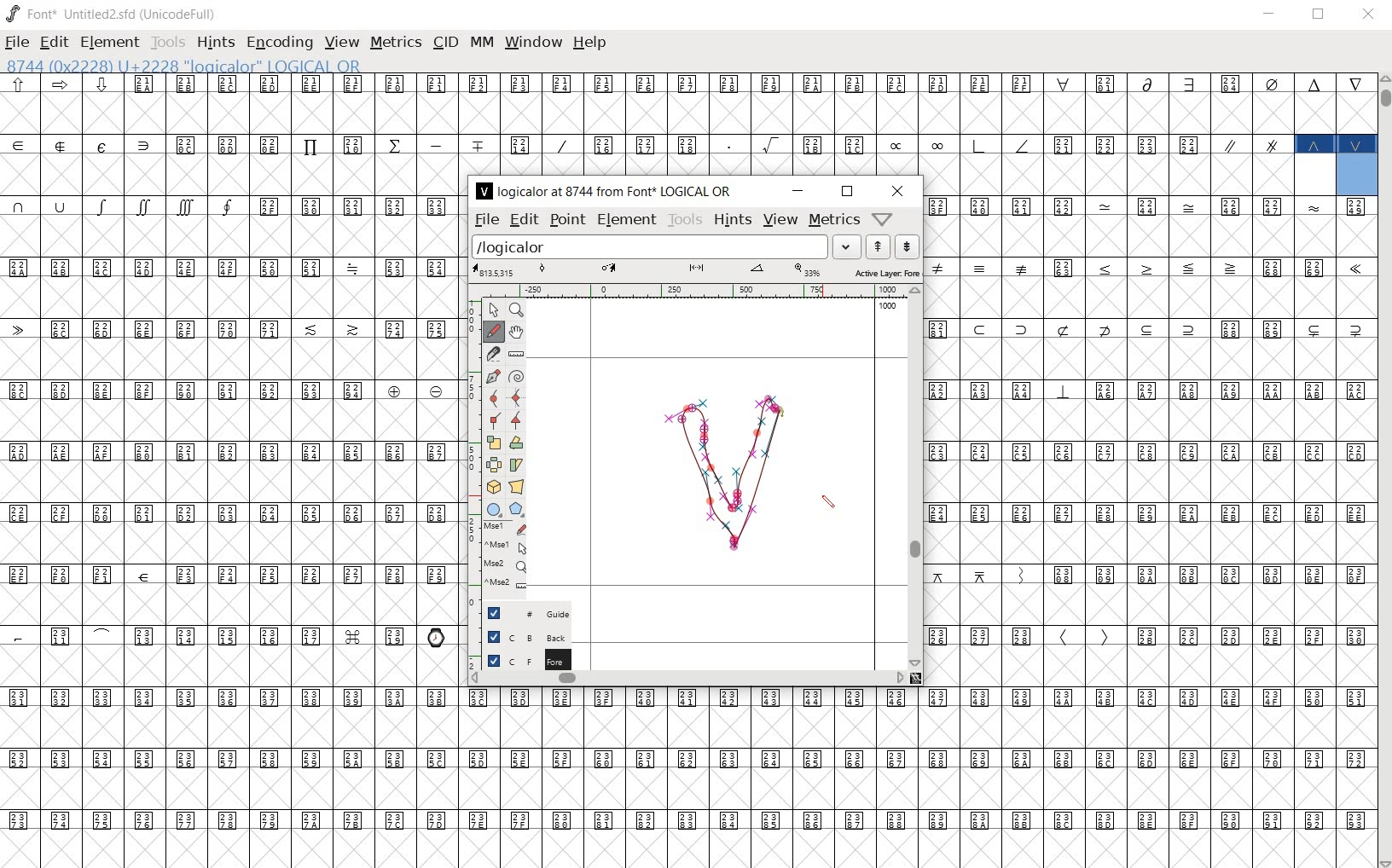  Describe the element at coordinates (725, 472) in the screenshot. I see `logical OR design` at that location.